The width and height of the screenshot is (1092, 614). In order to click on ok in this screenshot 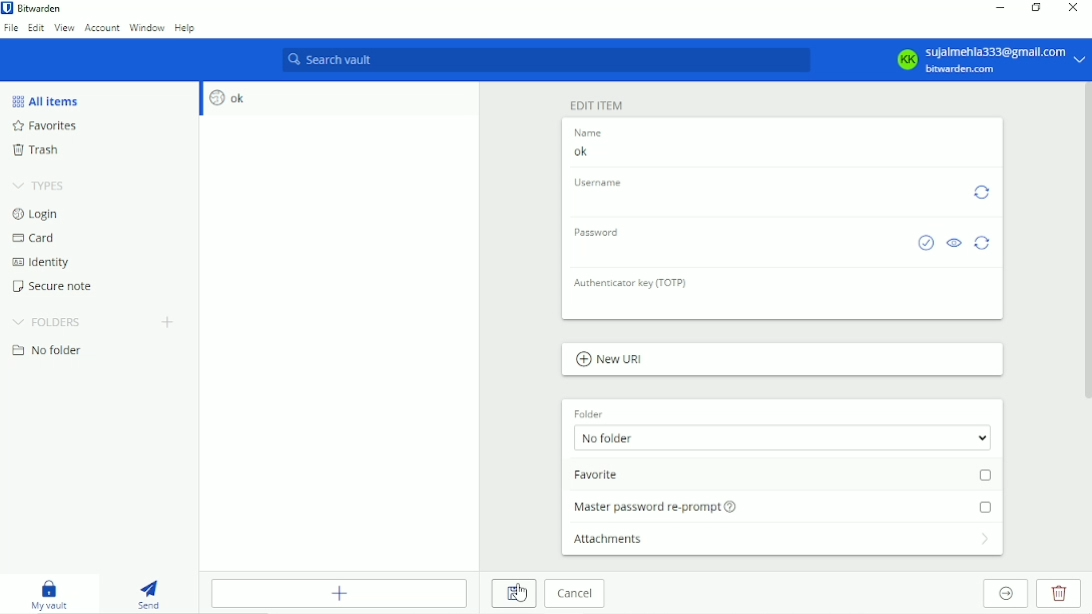, I will do `click(339, 98)`.